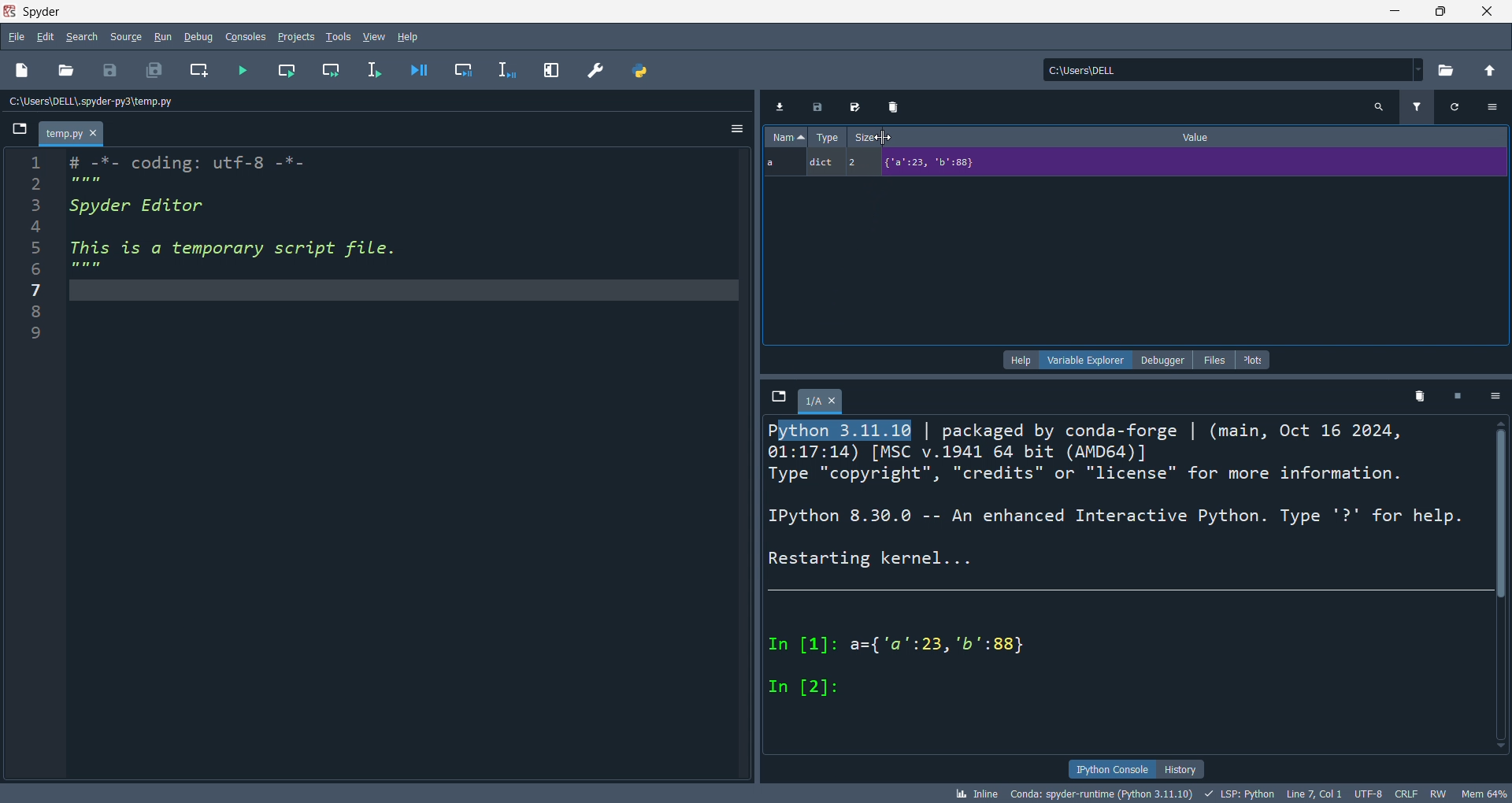  Describe the element at coordinates (1254, 360) in the screenshot. I see `plot` at that location.